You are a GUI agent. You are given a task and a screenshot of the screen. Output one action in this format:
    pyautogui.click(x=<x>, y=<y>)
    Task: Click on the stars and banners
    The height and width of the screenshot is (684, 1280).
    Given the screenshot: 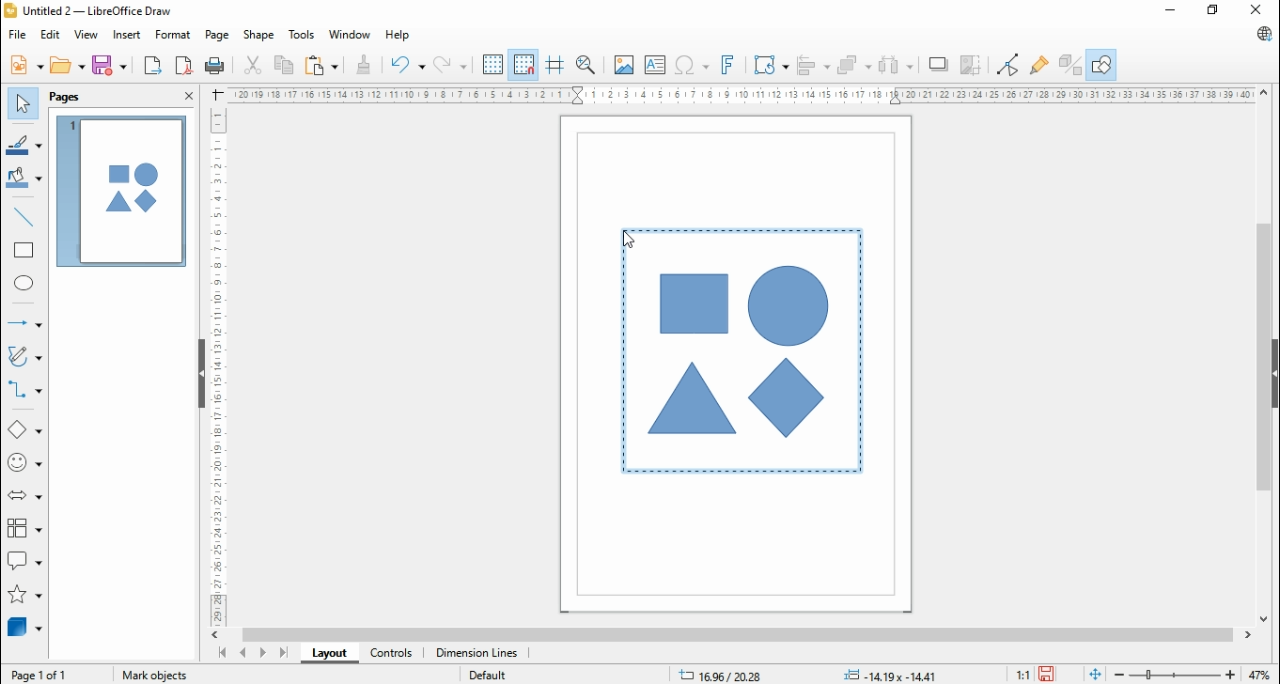 What is the action you would take?
    pyautogui.click(x=26, y=594)
    